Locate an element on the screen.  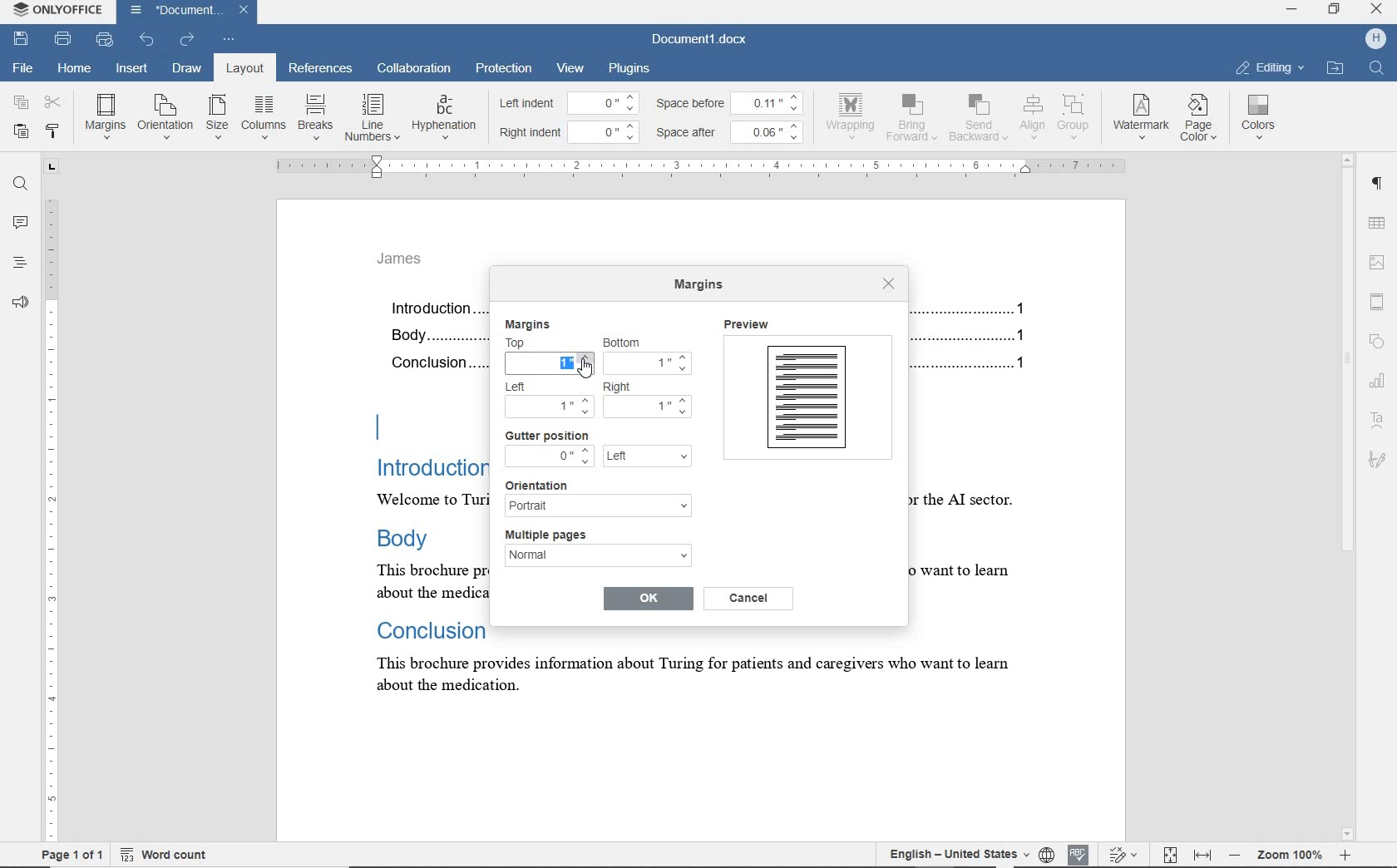
set document language is located at coordinates (1046, 852).